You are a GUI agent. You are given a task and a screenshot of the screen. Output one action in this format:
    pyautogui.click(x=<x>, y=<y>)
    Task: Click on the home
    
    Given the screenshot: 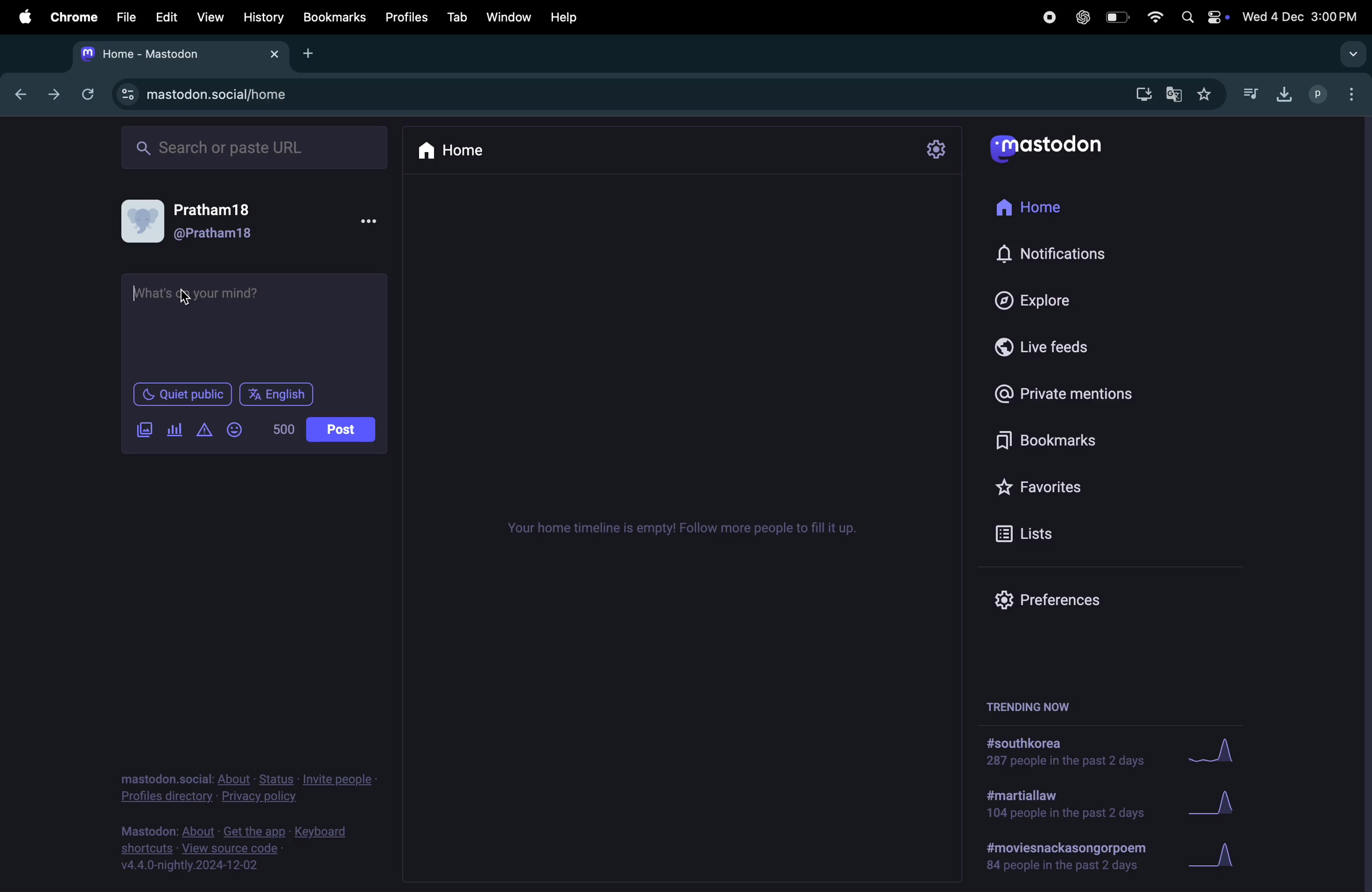 What is the action you would take?
    pyautogui.click(x=455, y=152)
    